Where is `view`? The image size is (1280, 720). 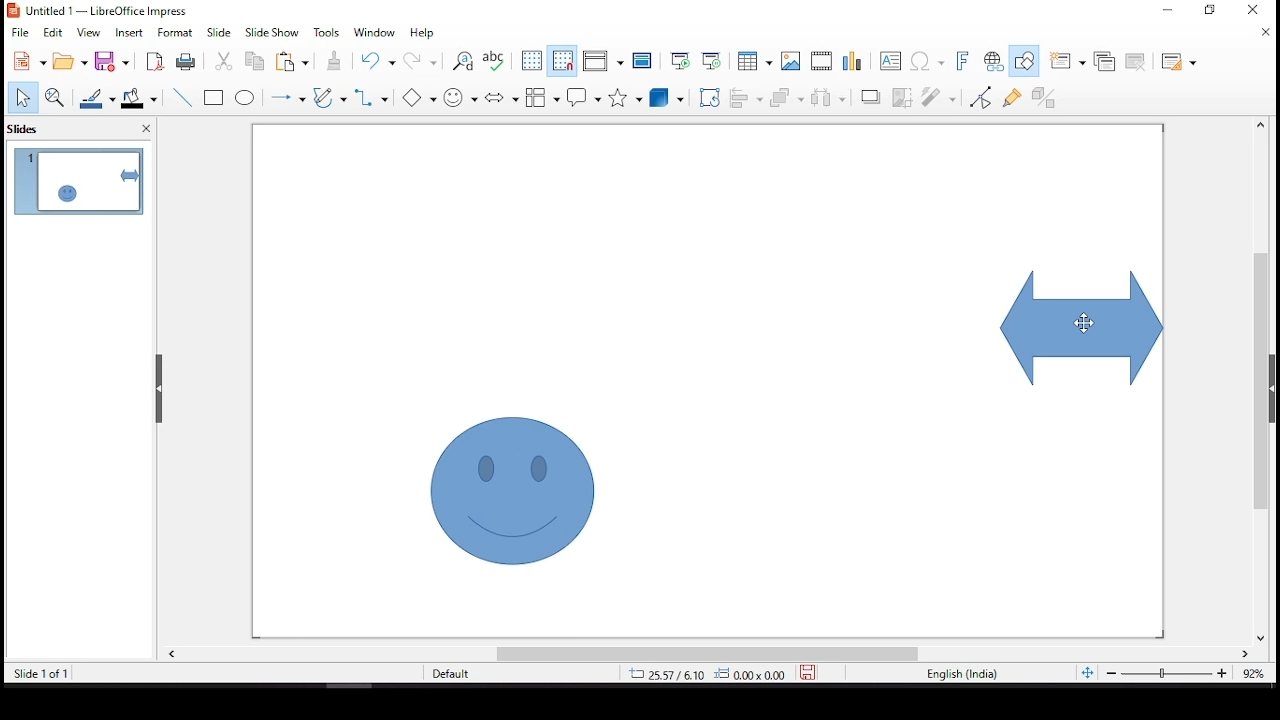
view is located at coordinates (90, 33).